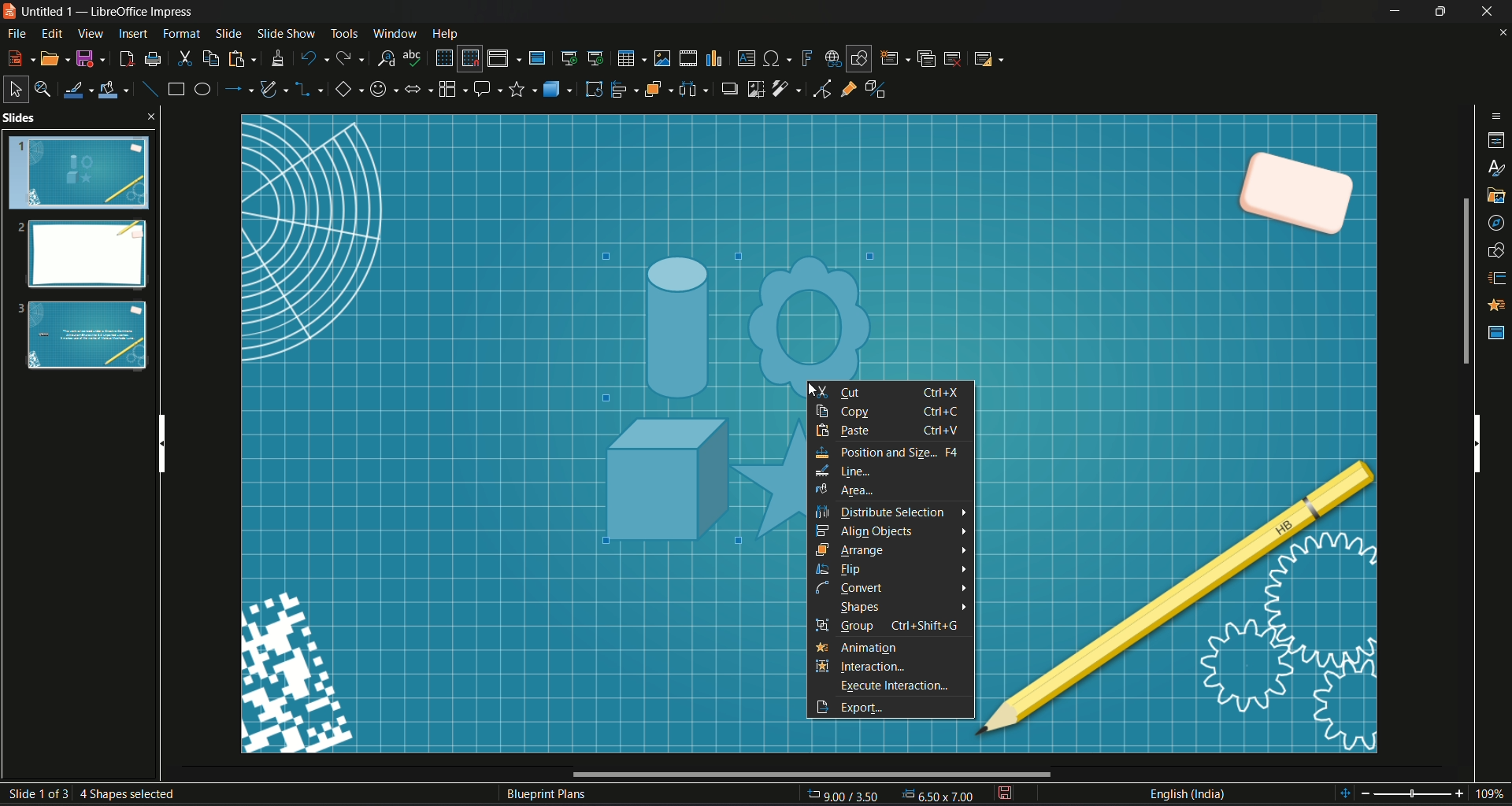  I want to click on align objects, so click(868, 532).